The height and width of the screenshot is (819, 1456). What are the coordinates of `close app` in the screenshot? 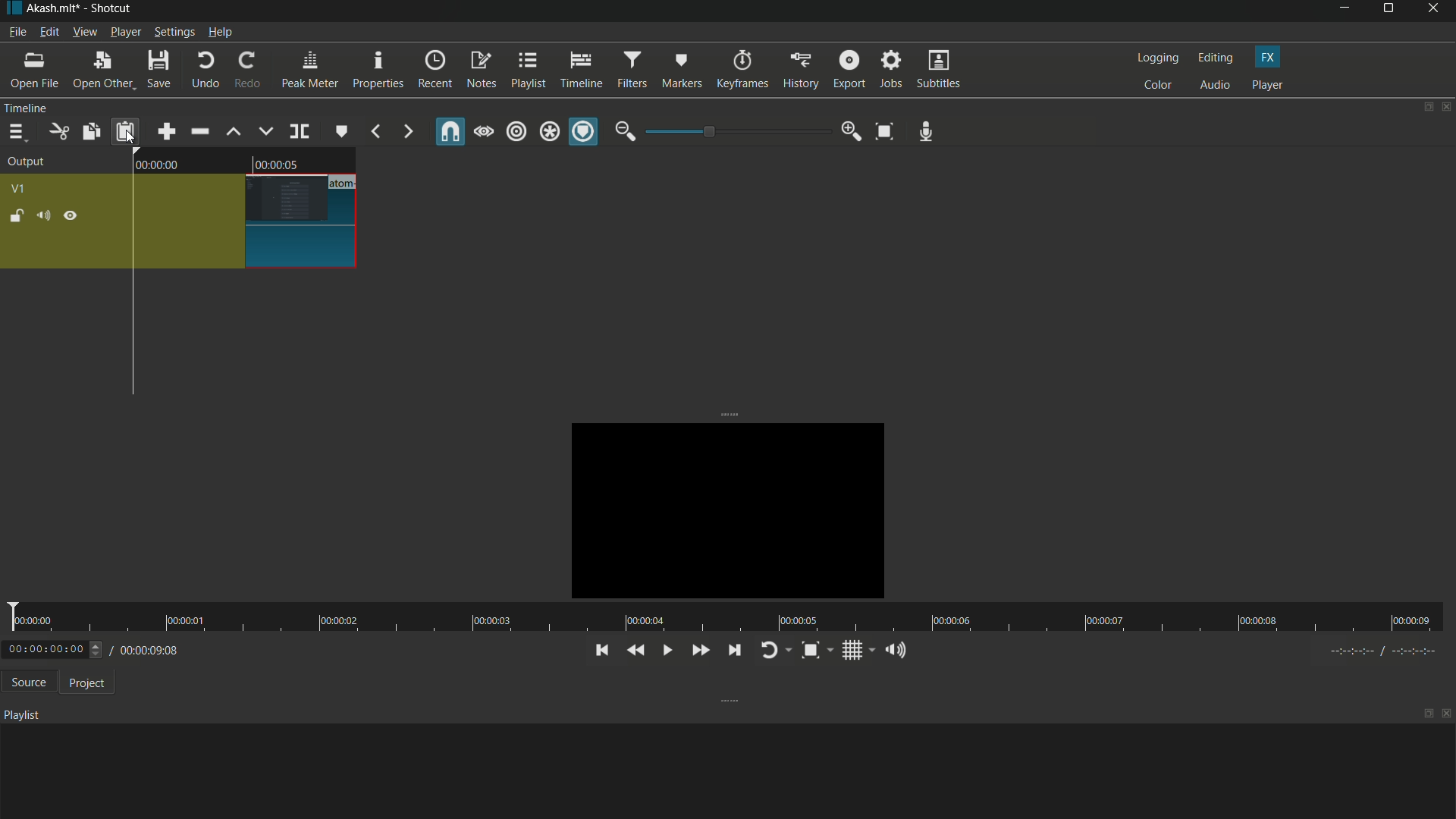 It's located at (1436, 11).